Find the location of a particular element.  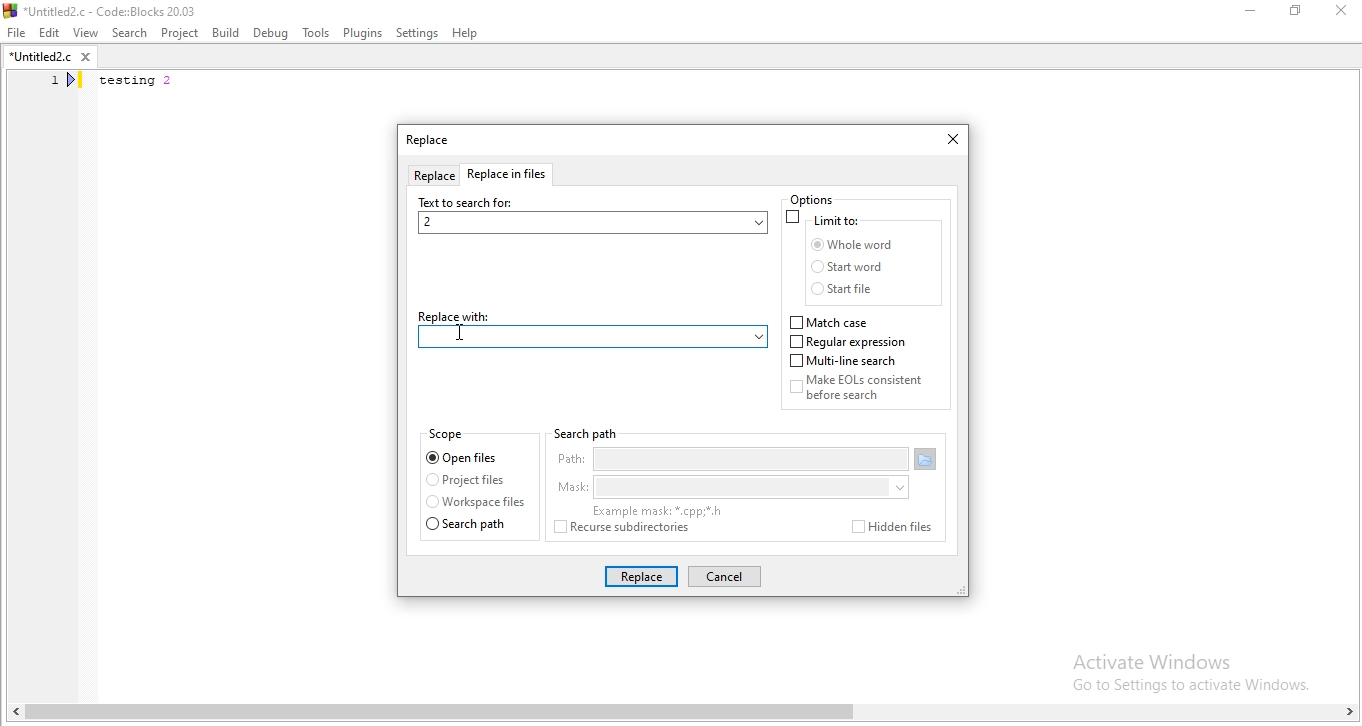

replace with is located at coordinates (591, 315).